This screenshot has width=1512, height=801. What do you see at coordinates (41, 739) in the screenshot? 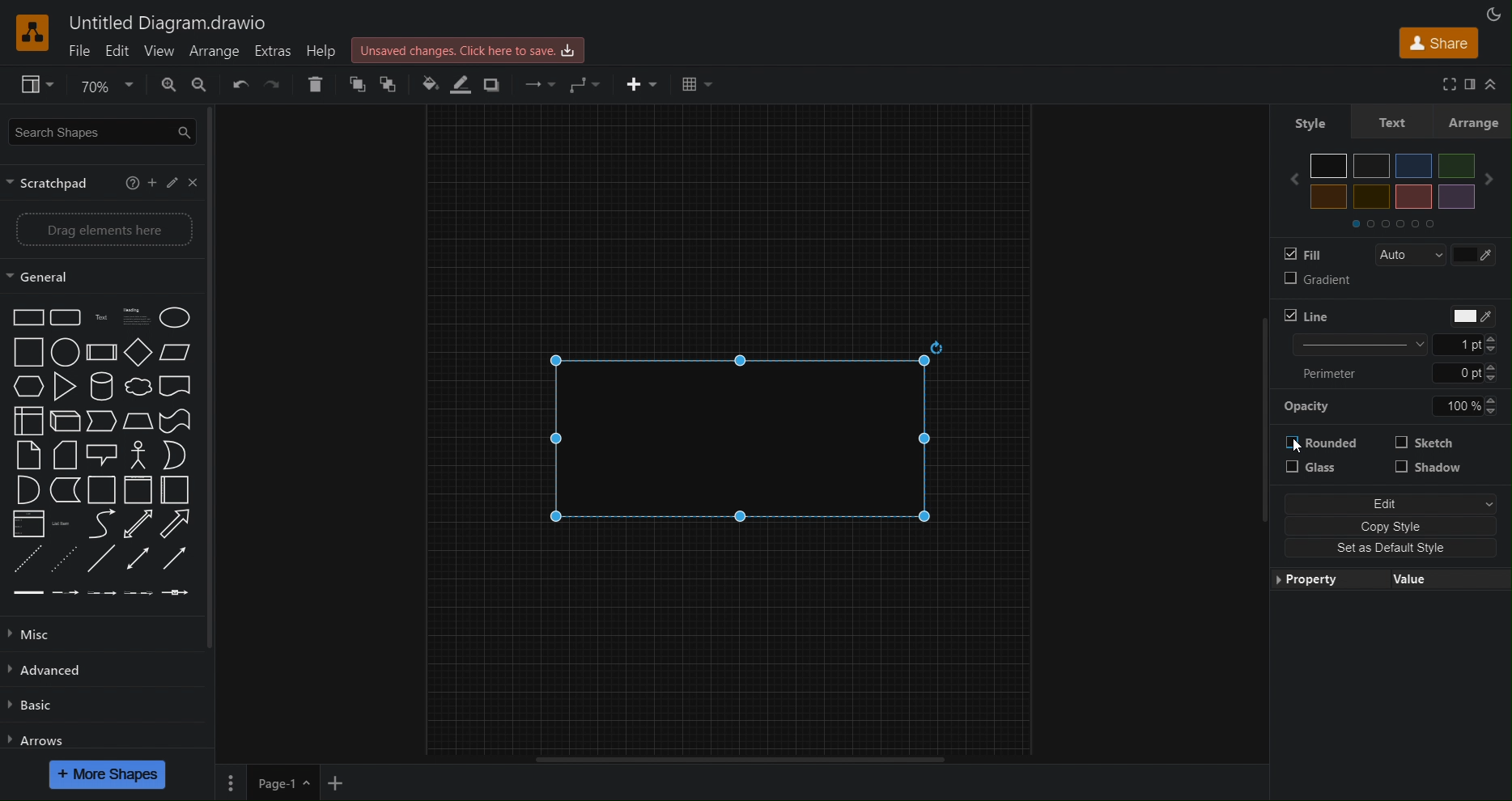
I see `Arrows` at bounding box center [41, 739].